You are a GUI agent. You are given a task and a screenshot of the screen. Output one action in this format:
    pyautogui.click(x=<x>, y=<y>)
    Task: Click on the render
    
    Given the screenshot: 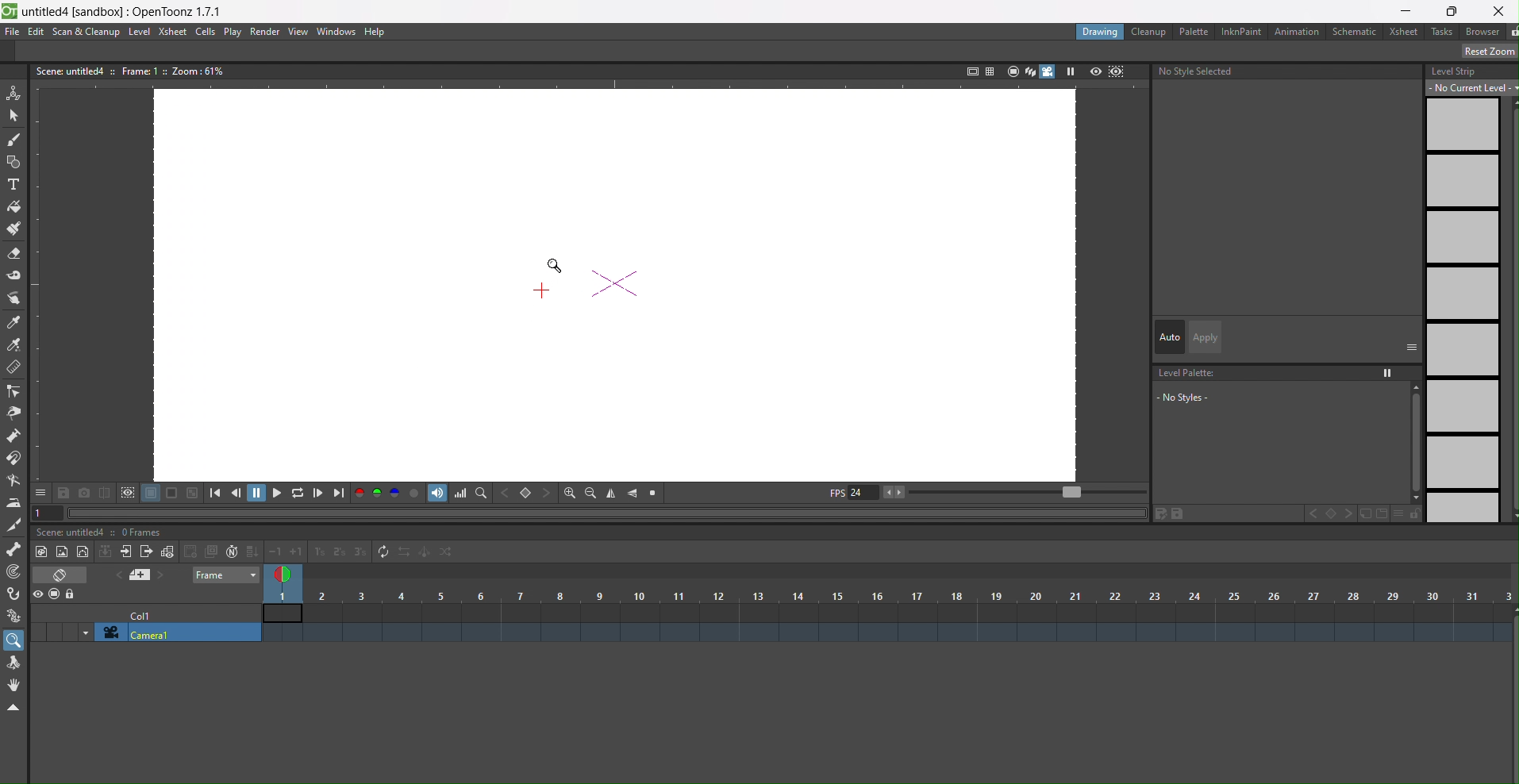 What is the action you would take?
    pyautogui.click(x=266, y=33)
    